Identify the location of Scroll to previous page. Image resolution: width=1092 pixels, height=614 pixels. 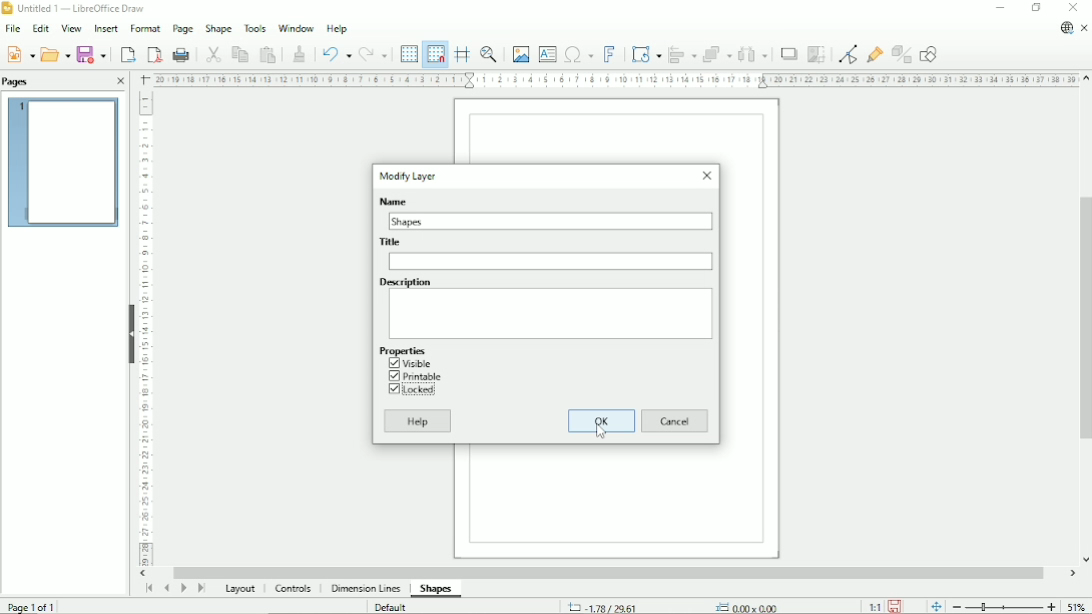
(166, 588).